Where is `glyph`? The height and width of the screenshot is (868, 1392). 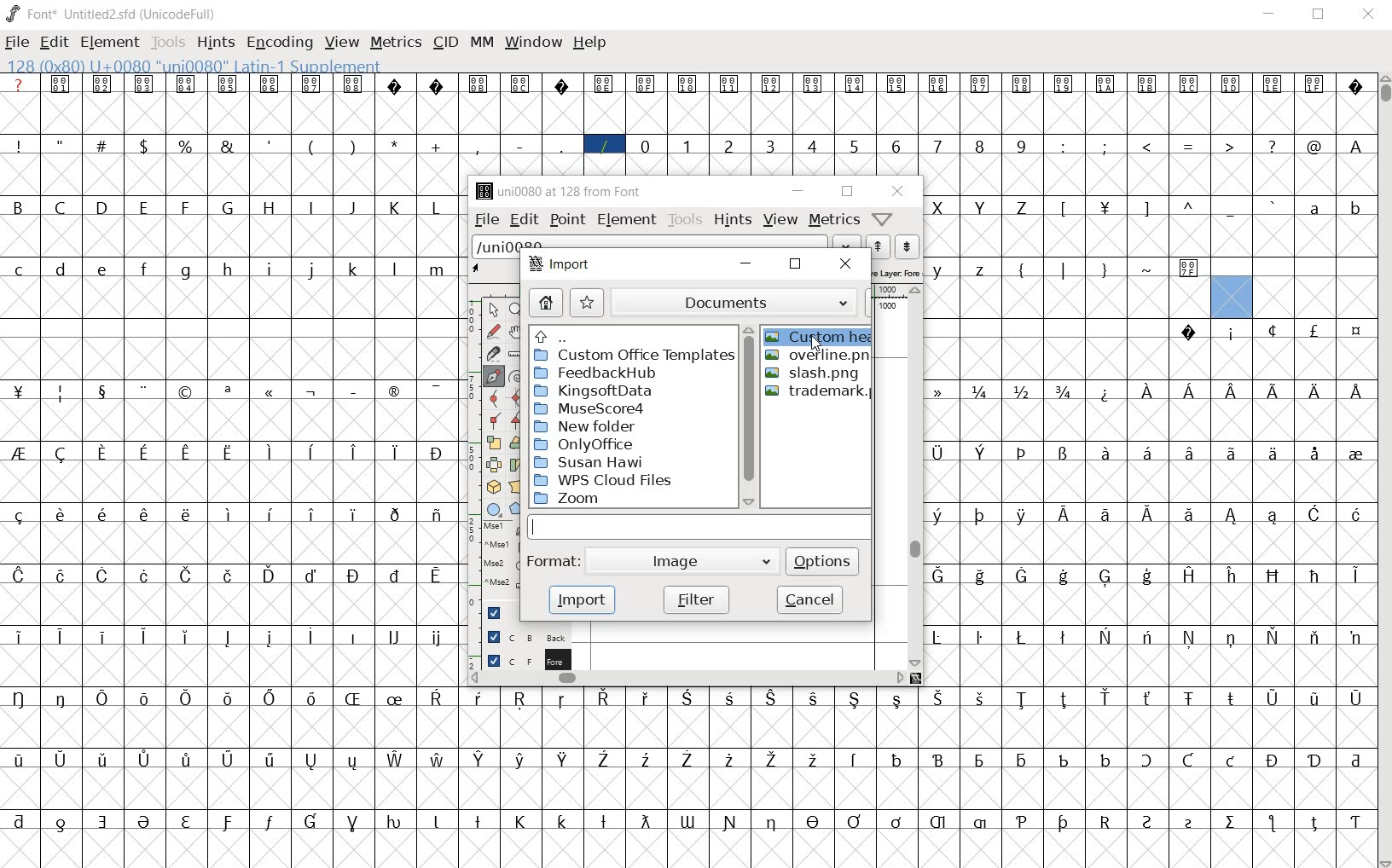 glyph is located at coordinates (1231, 822).